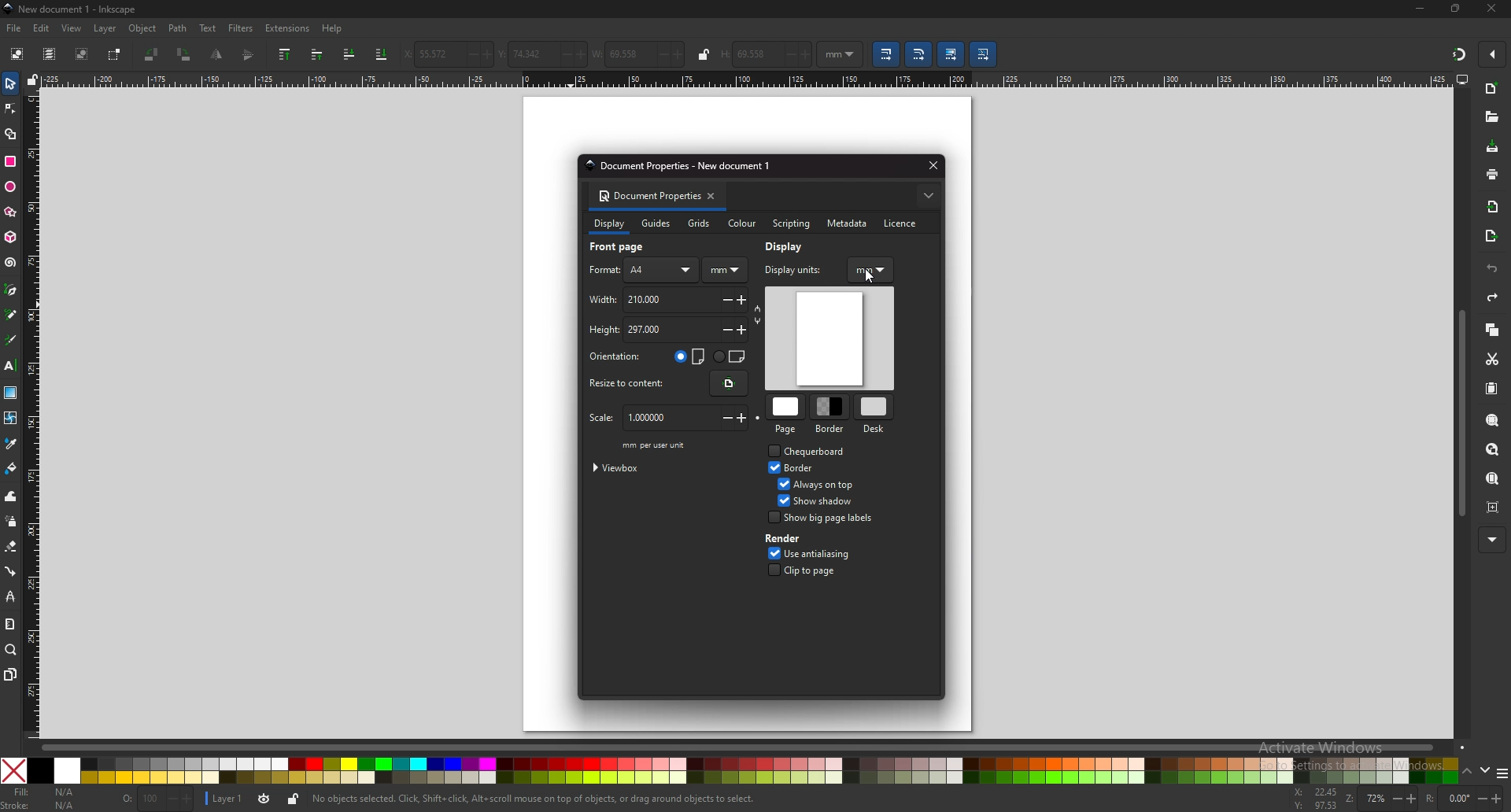 This screenshot has height=812, width=1511. I want to click on filters, so click(241, 28).